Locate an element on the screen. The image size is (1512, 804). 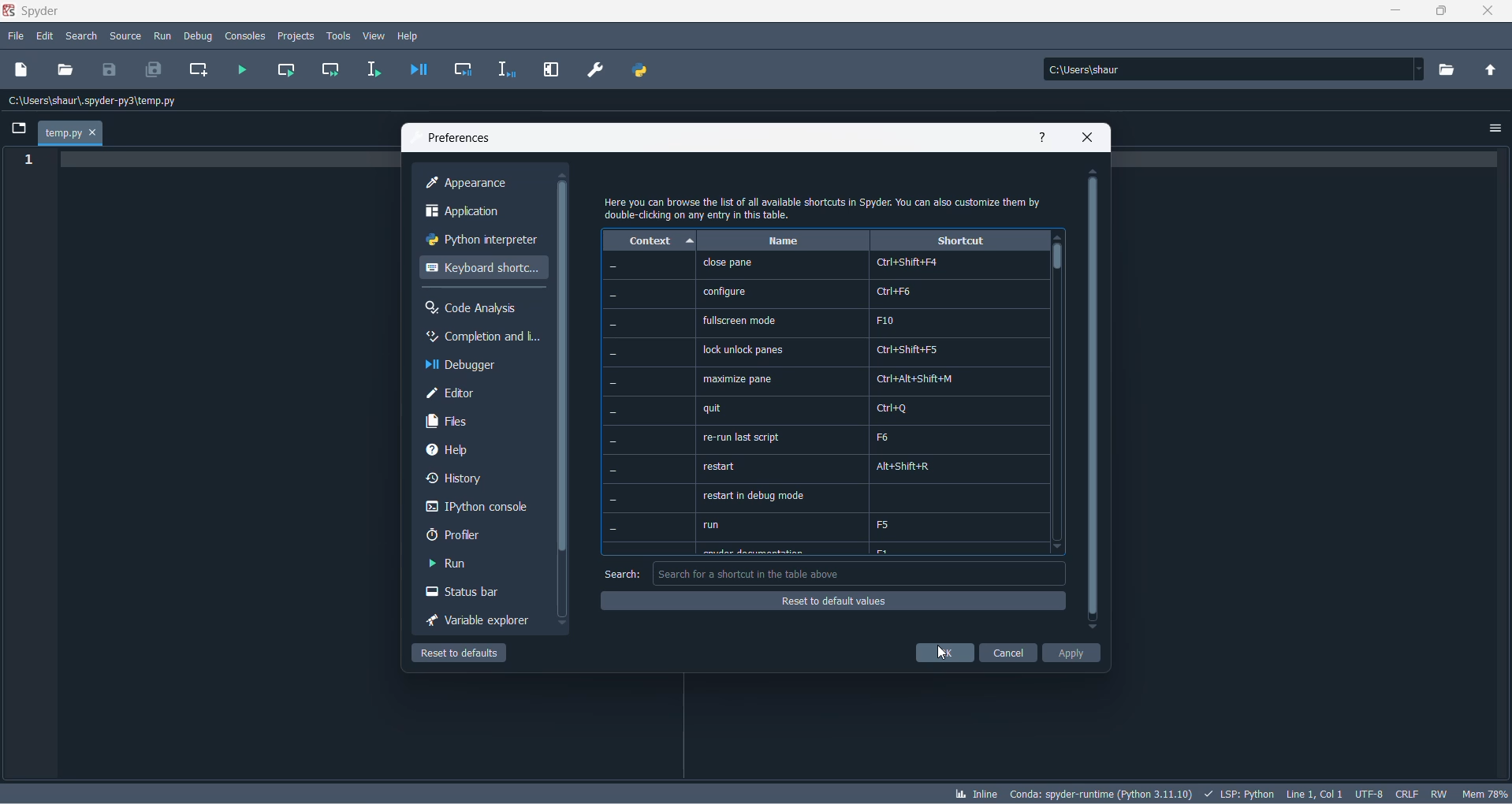
scrollbar is located at coordinates (1092, 400).